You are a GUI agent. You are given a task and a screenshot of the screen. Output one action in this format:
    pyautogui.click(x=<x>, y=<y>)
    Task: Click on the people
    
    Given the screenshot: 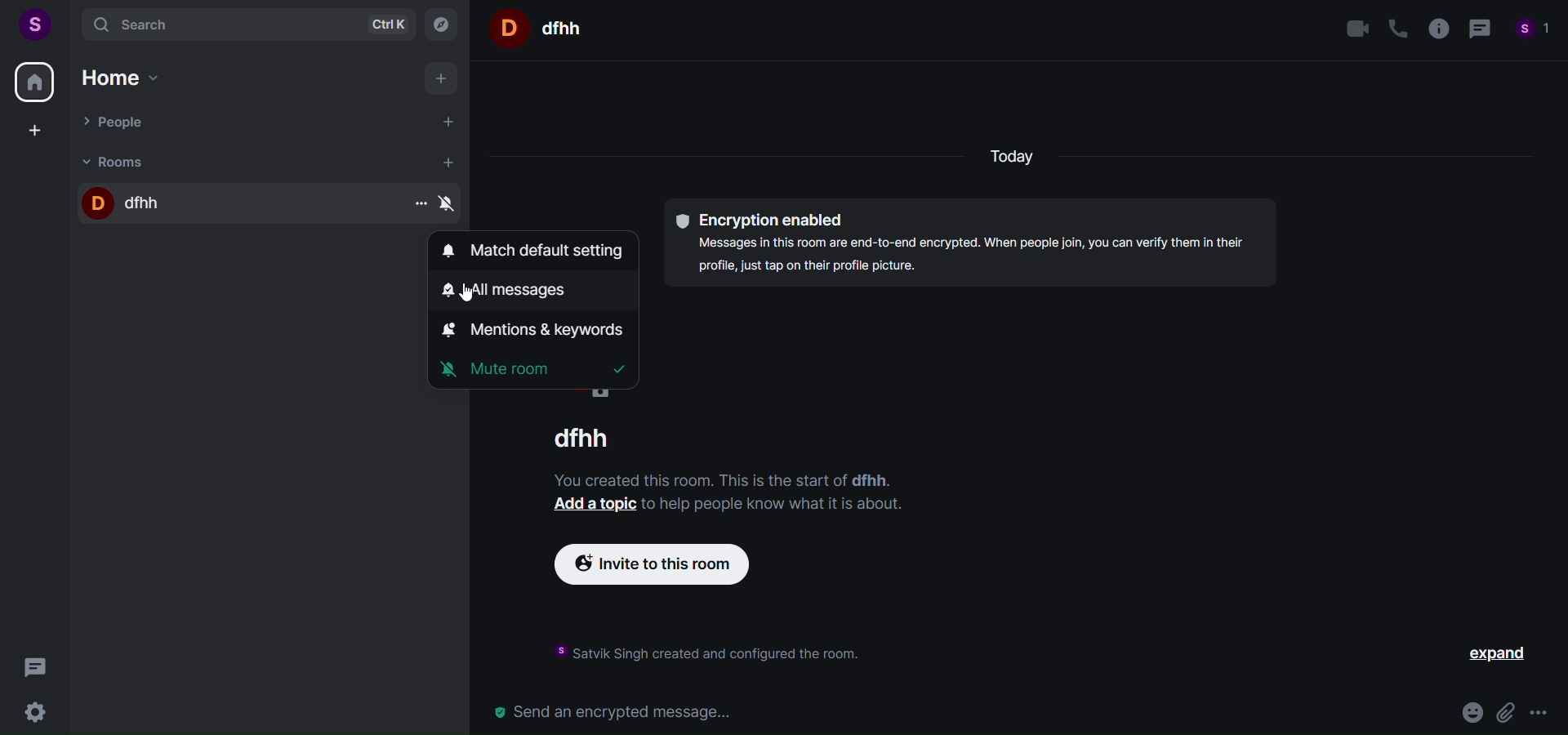 What is the action you would take?
    pyautogui.click(x=1535, y=29)
    